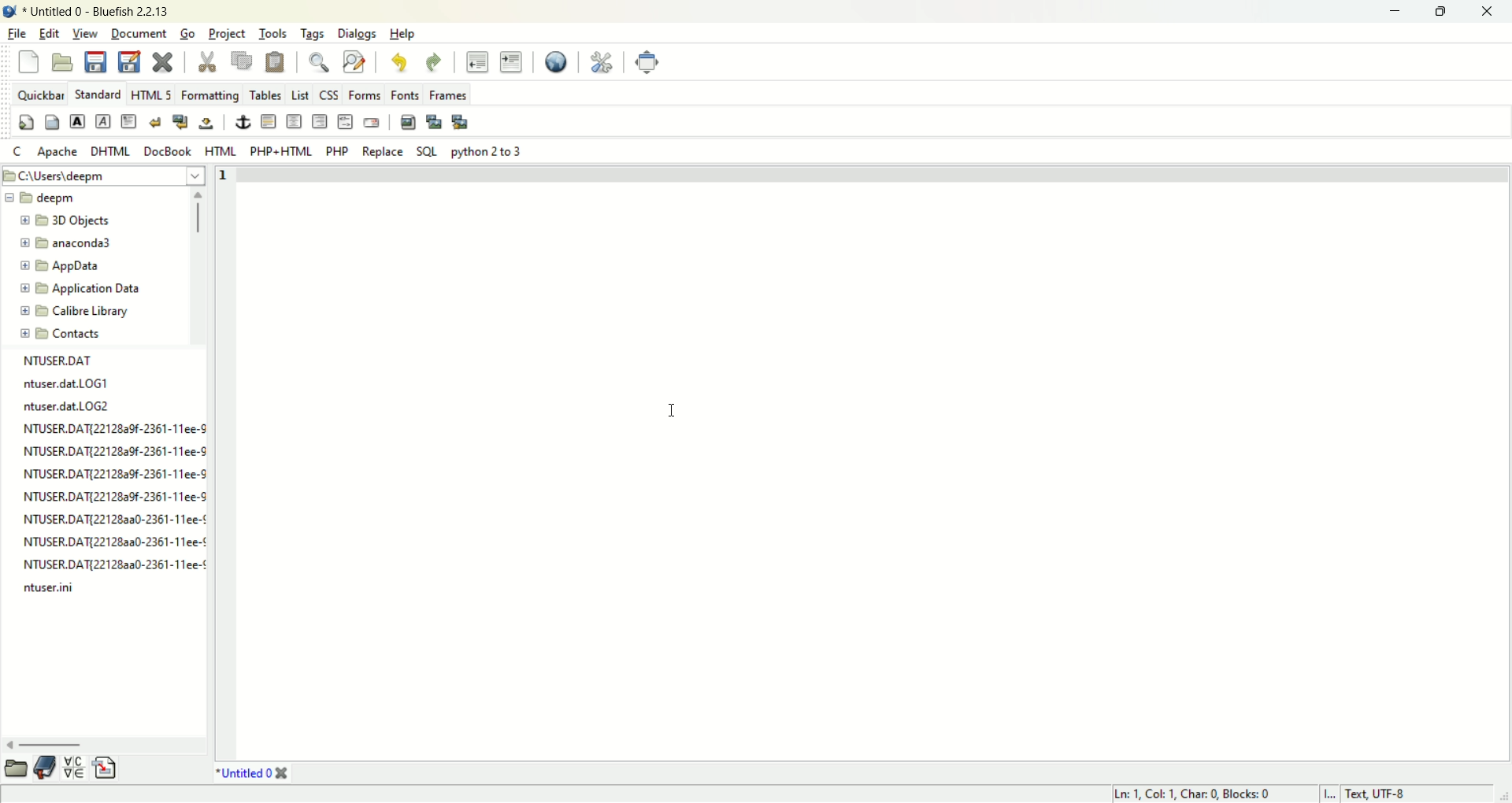  What do you see at coordinates (355, 63) in the screenshot?
I see `find and replace` at bounding box center [355, 63].